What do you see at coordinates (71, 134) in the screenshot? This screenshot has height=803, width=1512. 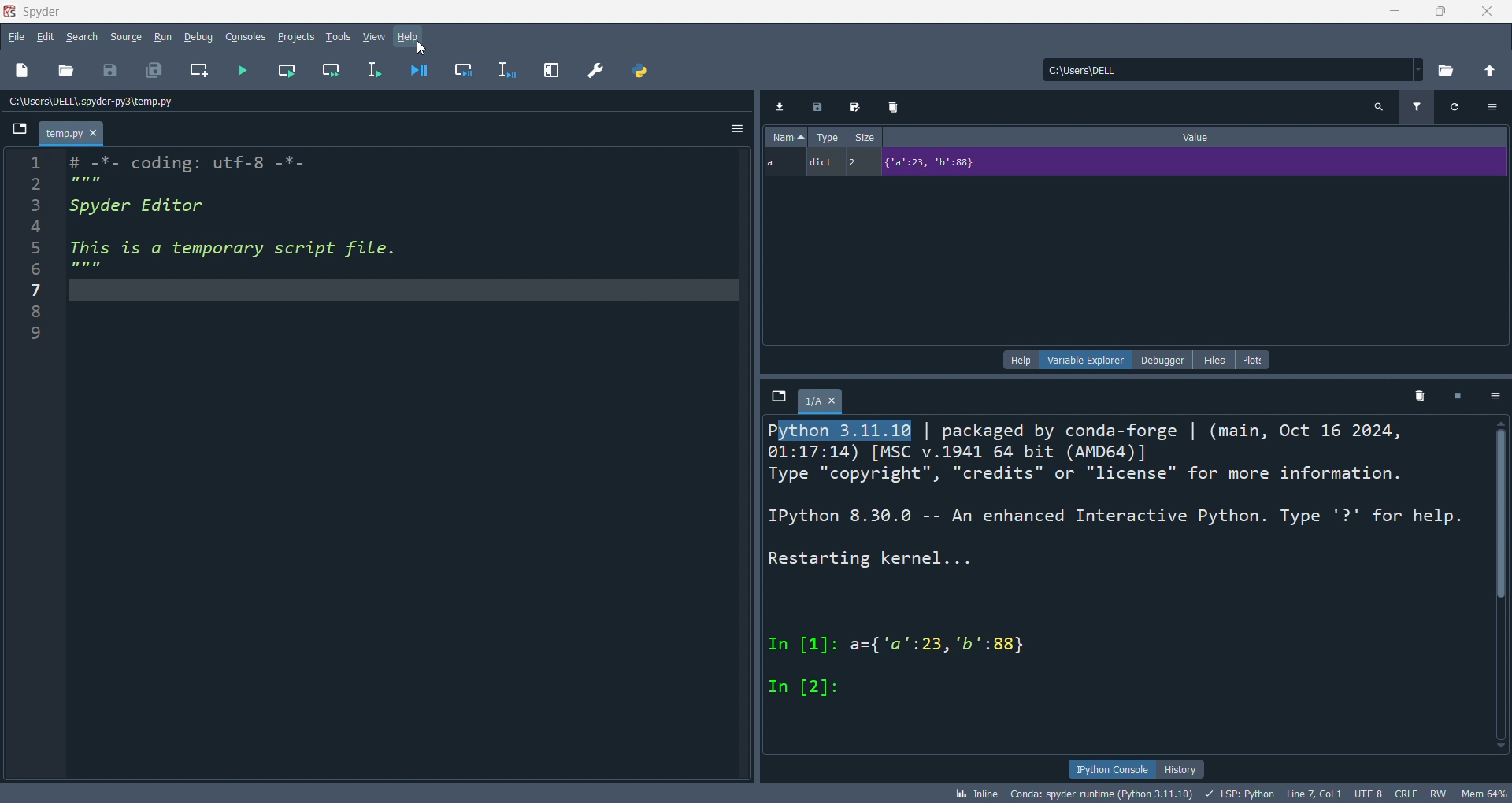 I see `temp.py` at bounding box center [71, 134].